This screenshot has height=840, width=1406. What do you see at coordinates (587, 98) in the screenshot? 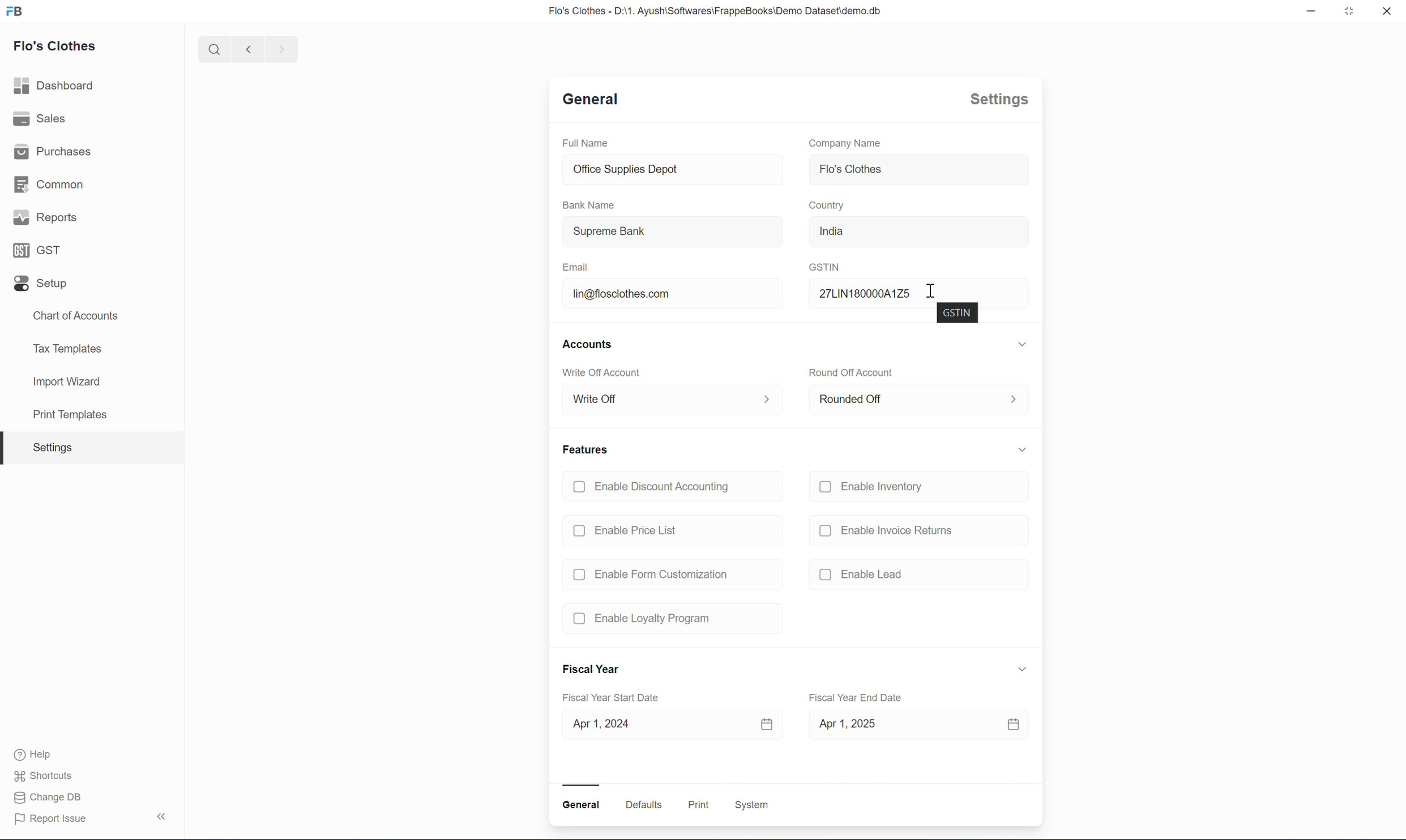
I see `General` at bounding box center [587, 98].